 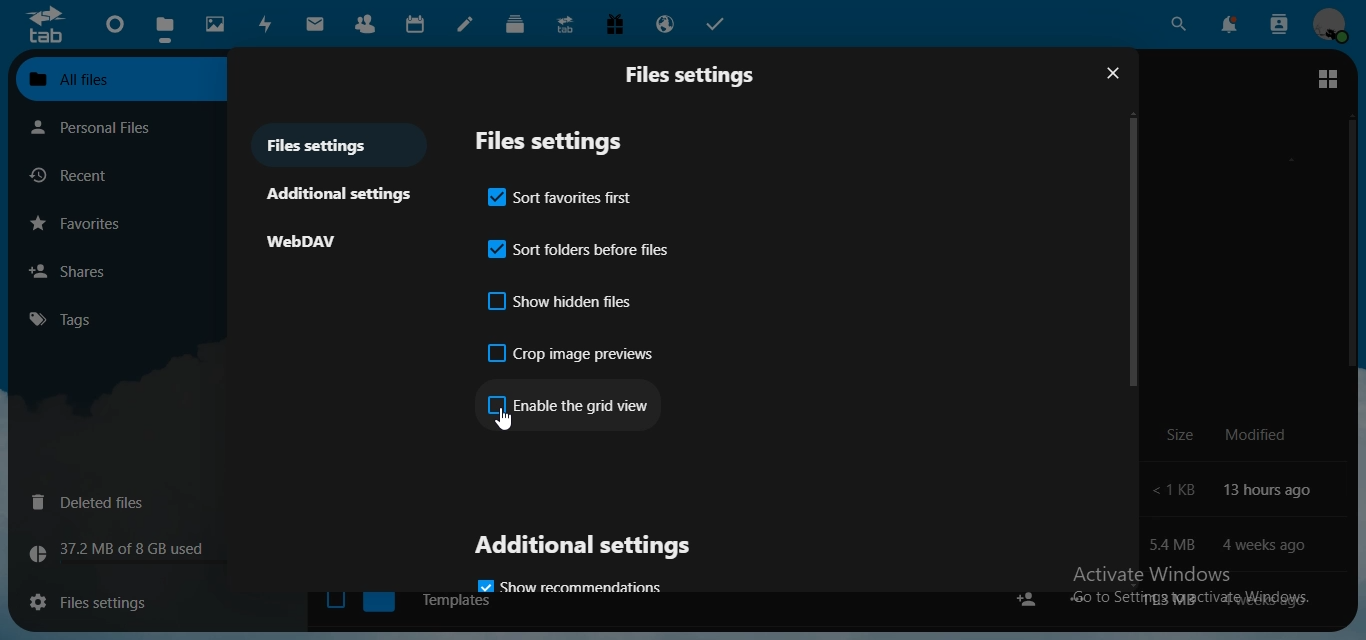 I want to click on notifications, so click(x=1228, y=23).